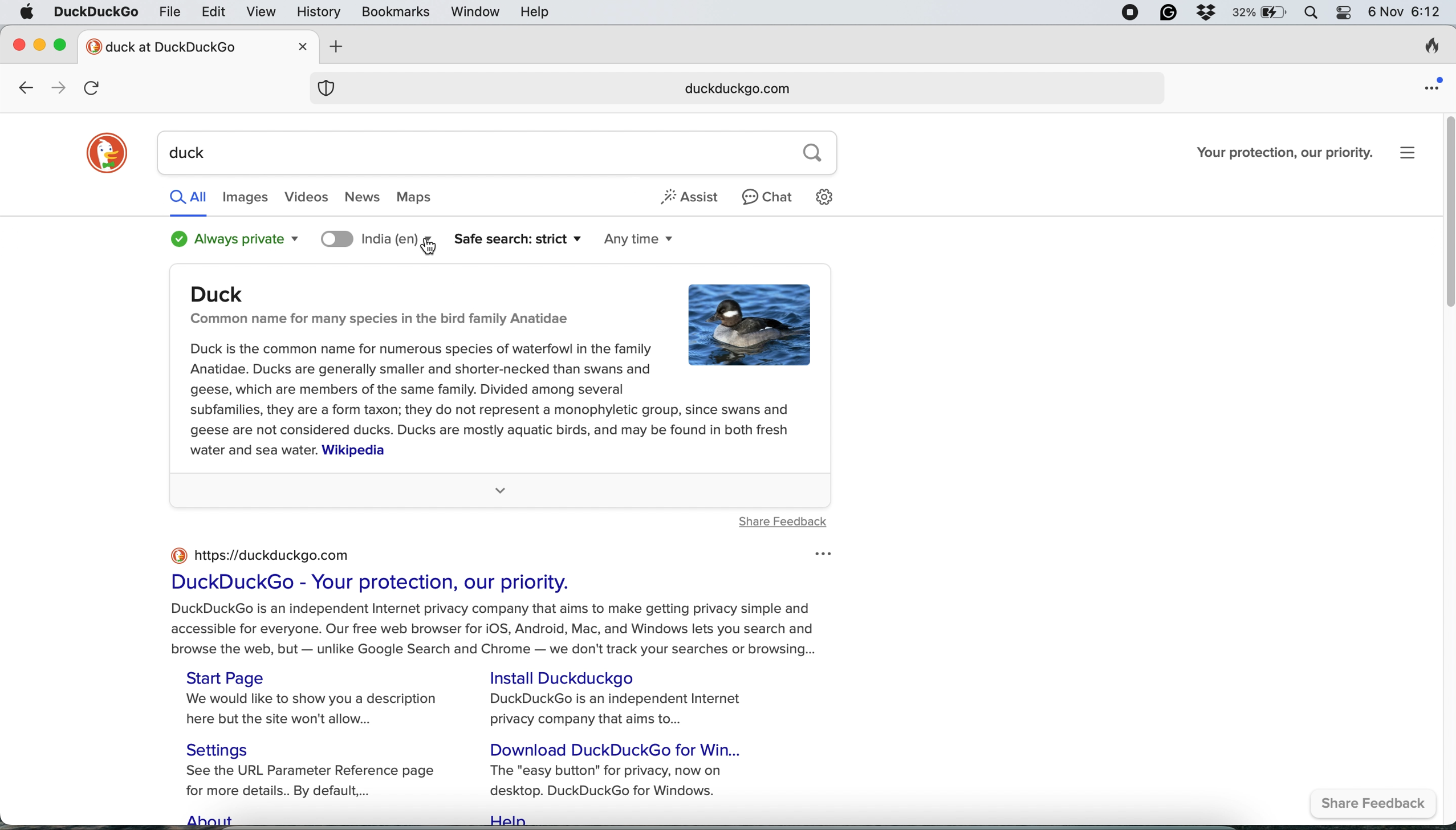 The width and height of the screenshot is (1456, 830). What do you see at coordinates (820, 554) in the screenshot?
I see `options` at bounding box center [820, 554].